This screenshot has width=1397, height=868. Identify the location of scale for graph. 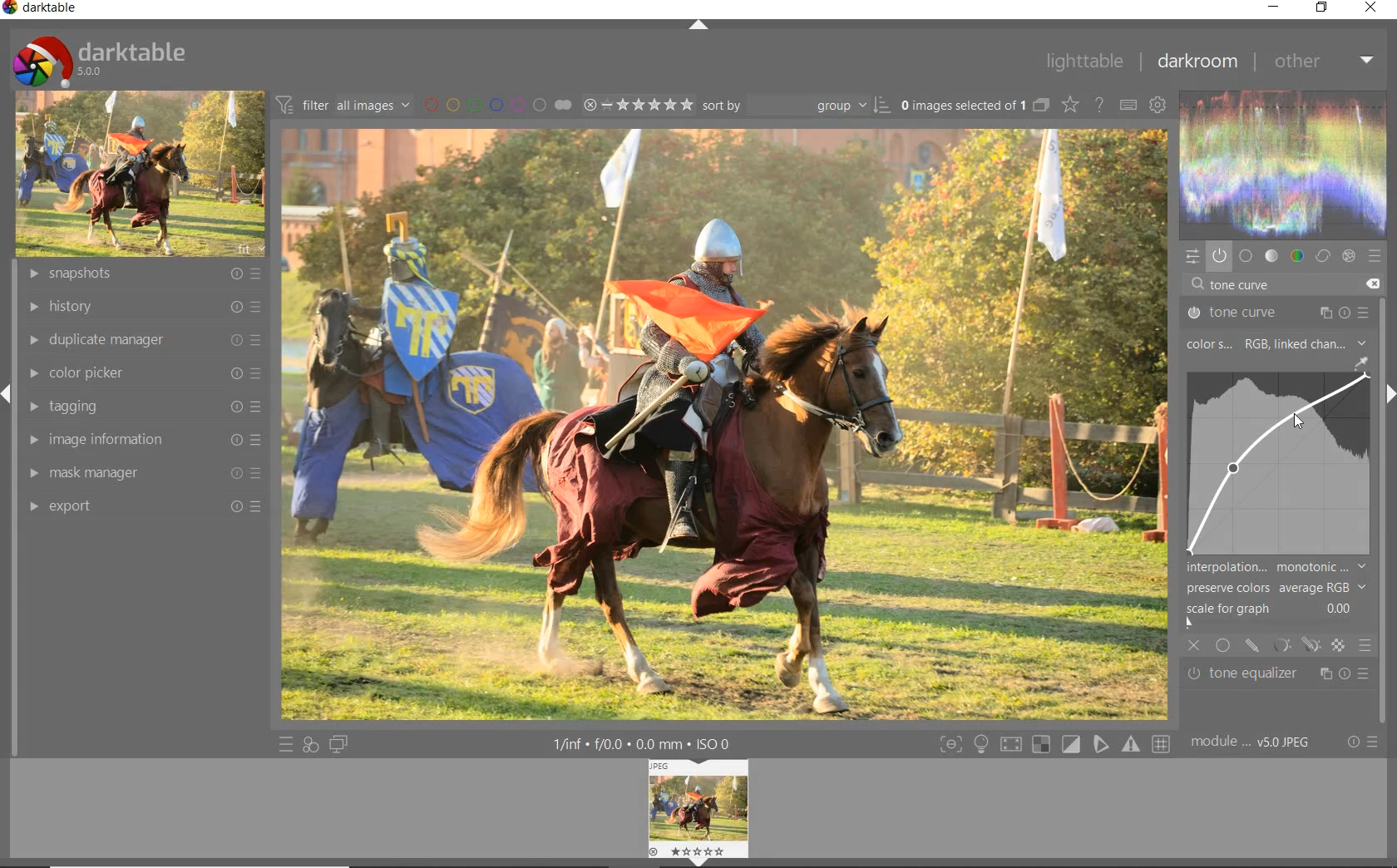
(1273, 609).